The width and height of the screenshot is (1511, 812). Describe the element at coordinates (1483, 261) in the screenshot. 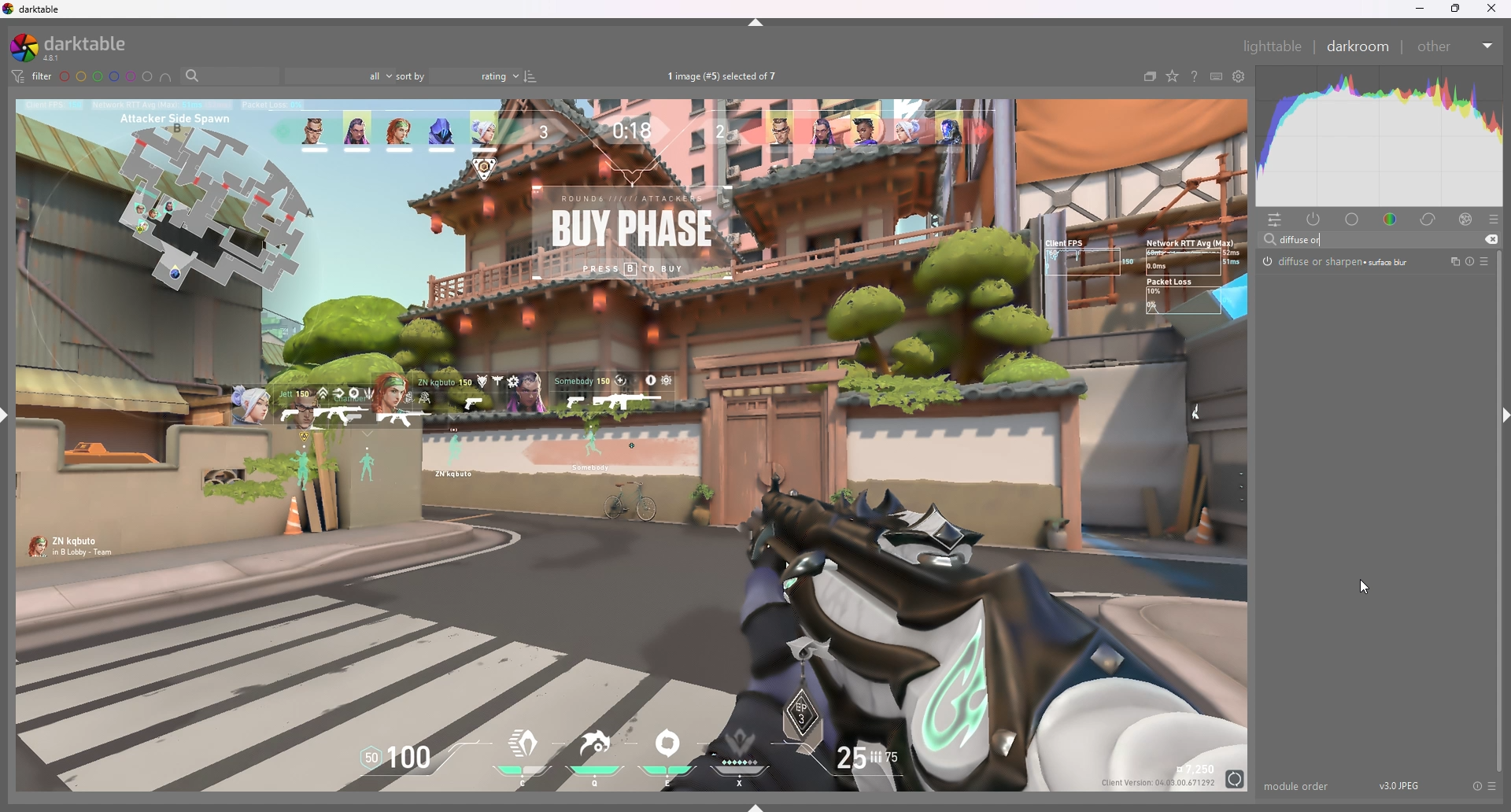

I see `presets` at that location.